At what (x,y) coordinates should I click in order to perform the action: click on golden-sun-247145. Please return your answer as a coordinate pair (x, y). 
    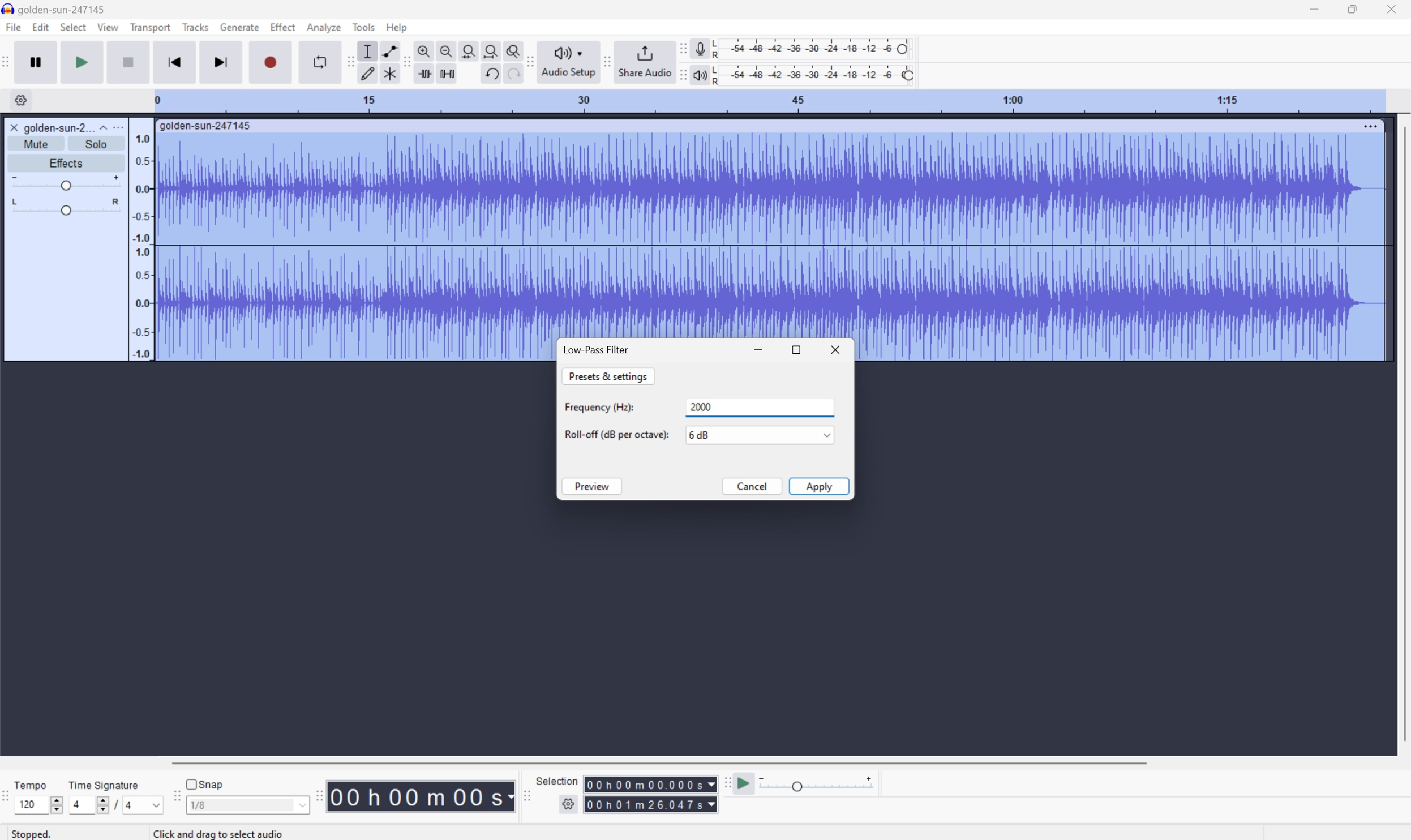
    Looking at the image, I should click on (207, 126).